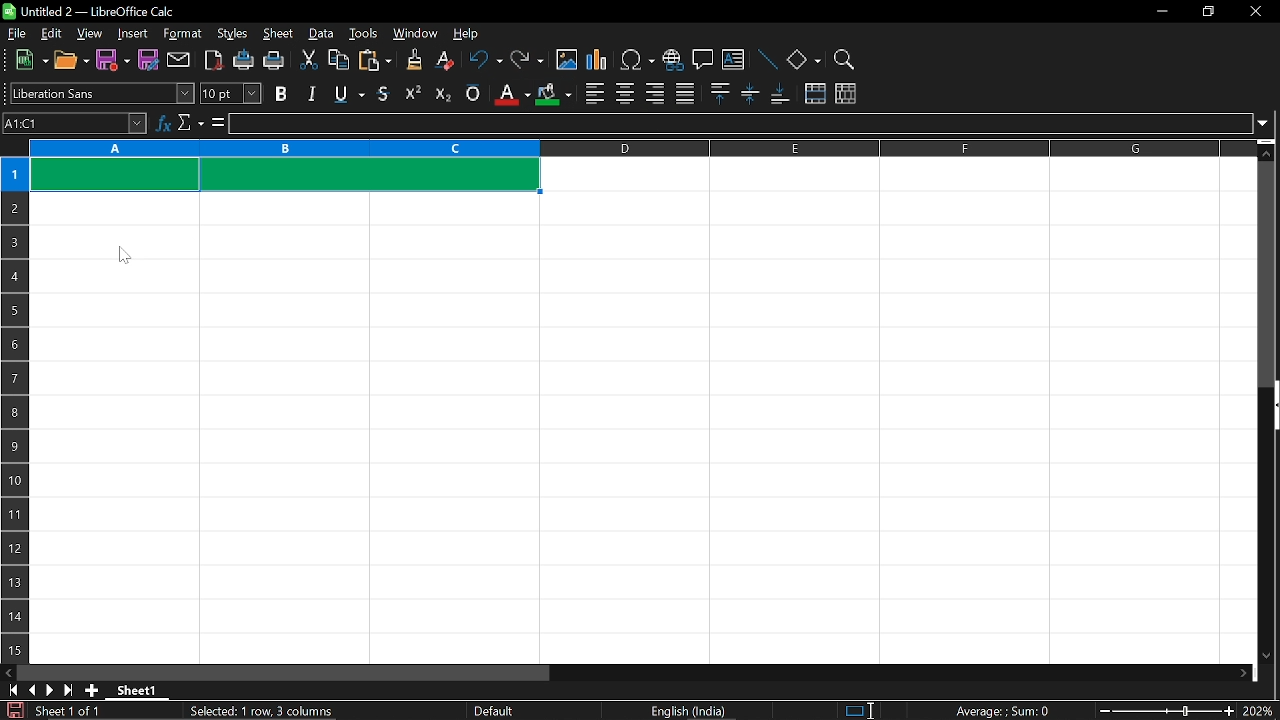  I want to click on eraser, so click(442, 61).